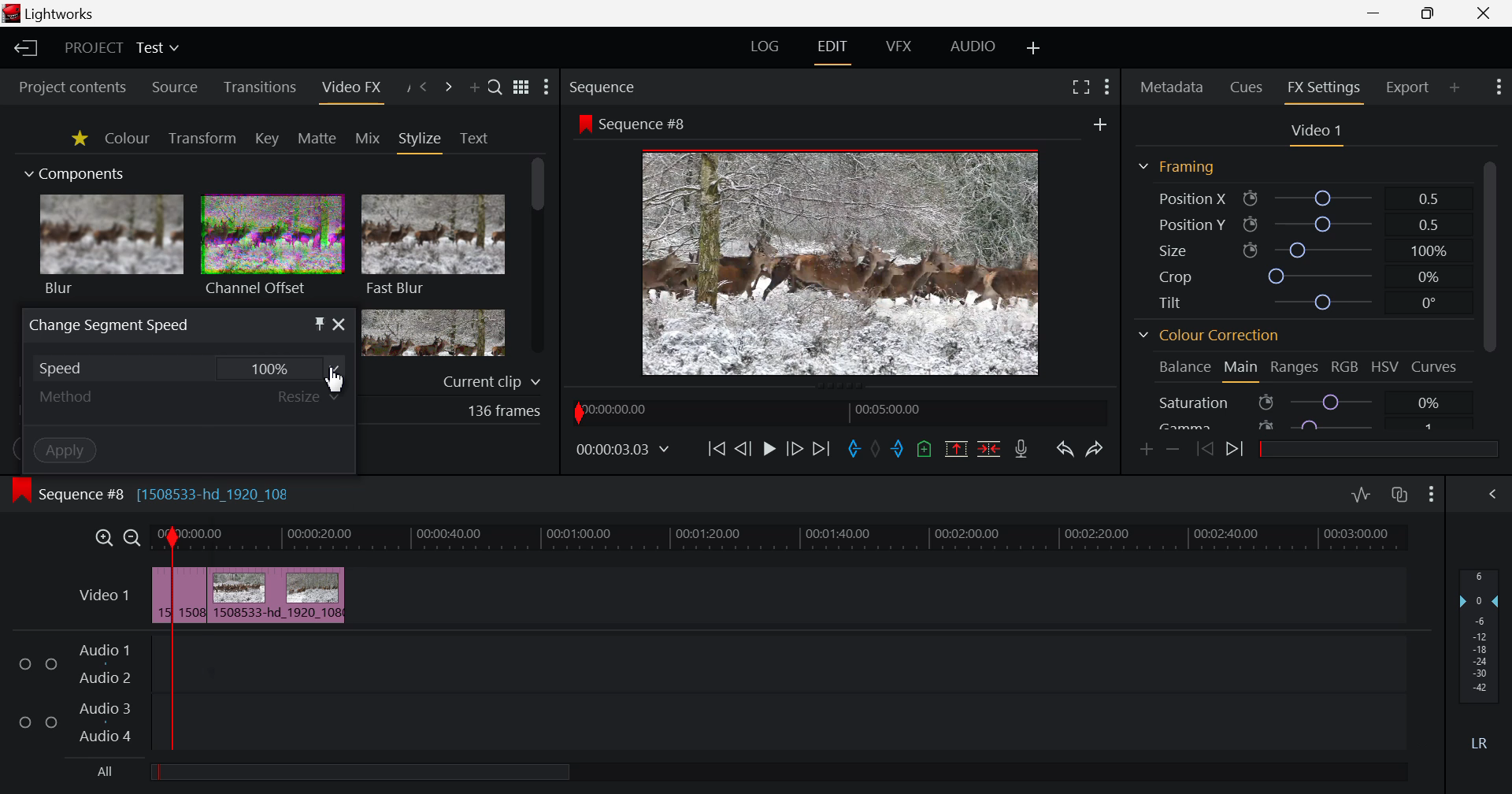 The width and height of the screenshot is (1512, 794). Describe the element at coordinates (103, 598) in the screenshot. I see `Video Layer` at that location.